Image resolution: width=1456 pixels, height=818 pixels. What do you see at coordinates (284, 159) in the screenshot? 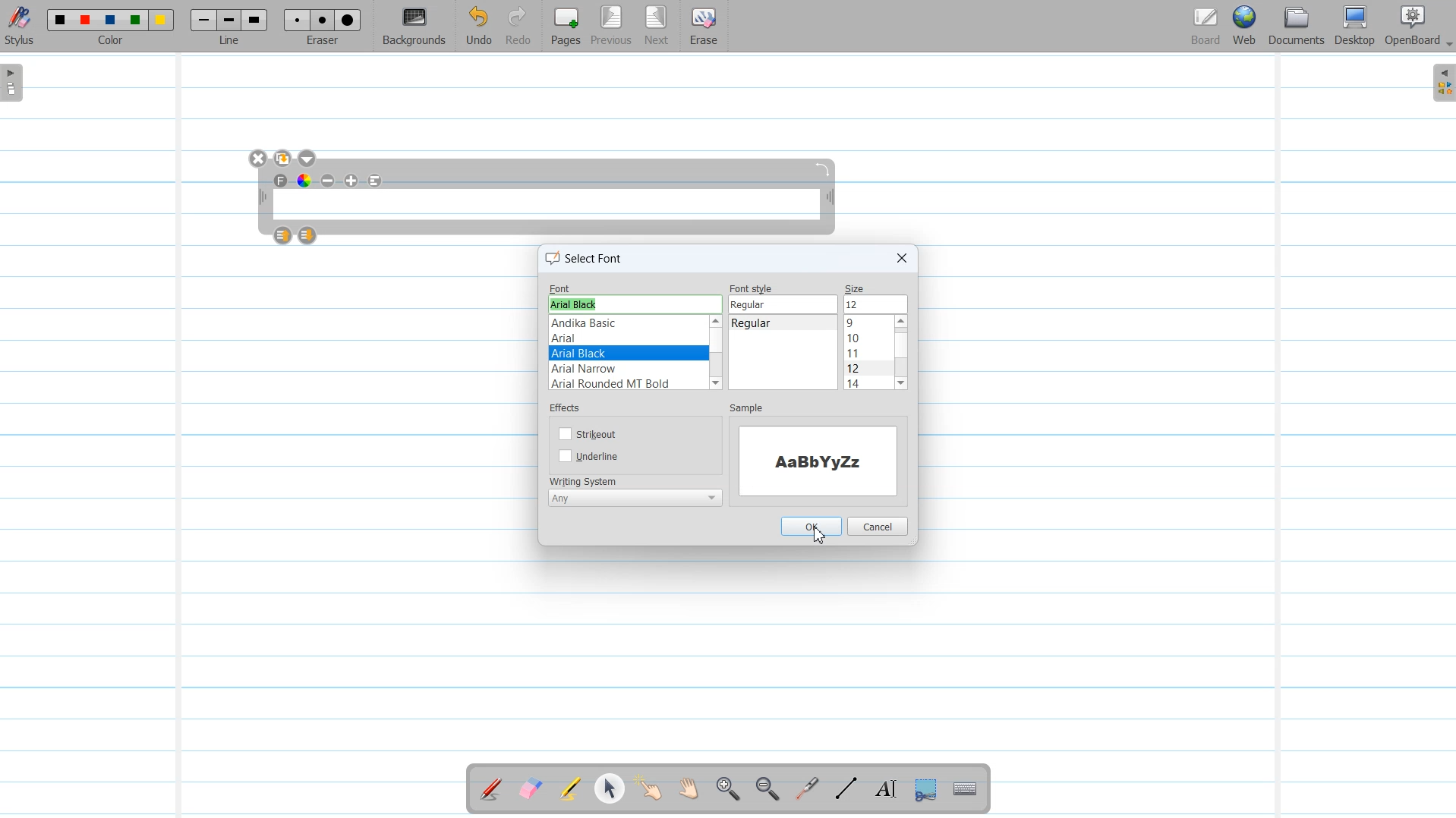
I see `Duplicate text ` at bounding box center [284, 159].